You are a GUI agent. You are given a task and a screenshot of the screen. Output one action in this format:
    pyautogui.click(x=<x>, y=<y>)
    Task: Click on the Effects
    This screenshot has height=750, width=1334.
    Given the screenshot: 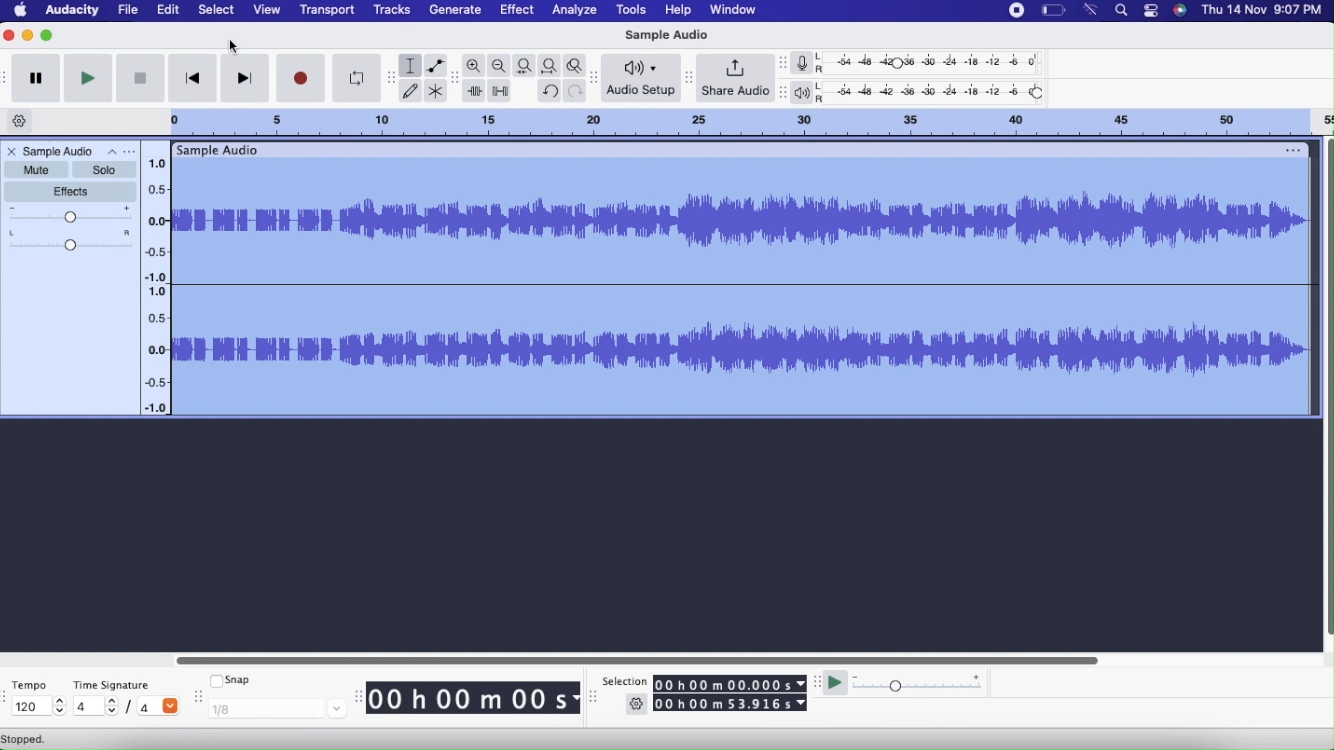 What is the action you would take?
    pyautogui.click(x=74, y=191)
    